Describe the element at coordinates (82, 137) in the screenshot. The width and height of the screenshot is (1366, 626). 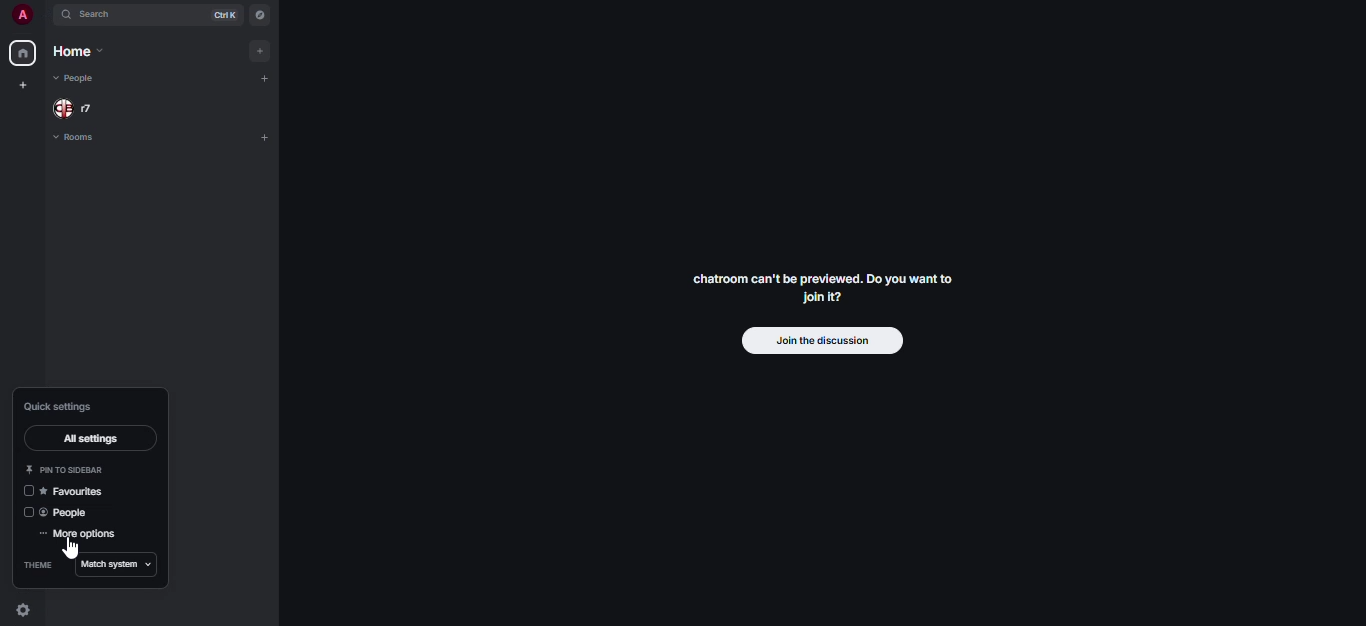
I see `rooms` at that location.